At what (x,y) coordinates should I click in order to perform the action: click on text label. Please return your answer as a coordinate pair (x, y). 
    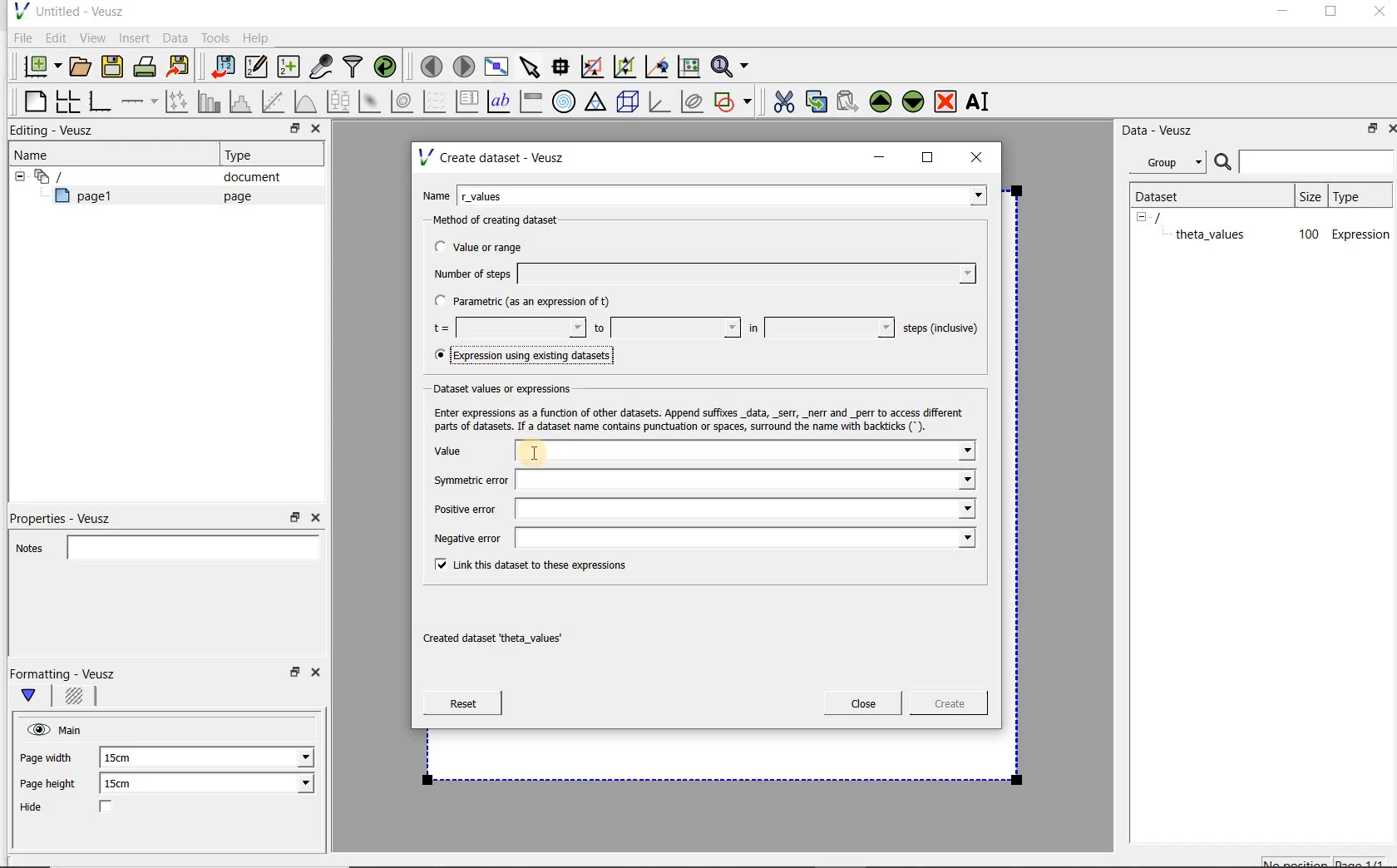
    Looking at the image, I should click on (501, 101).